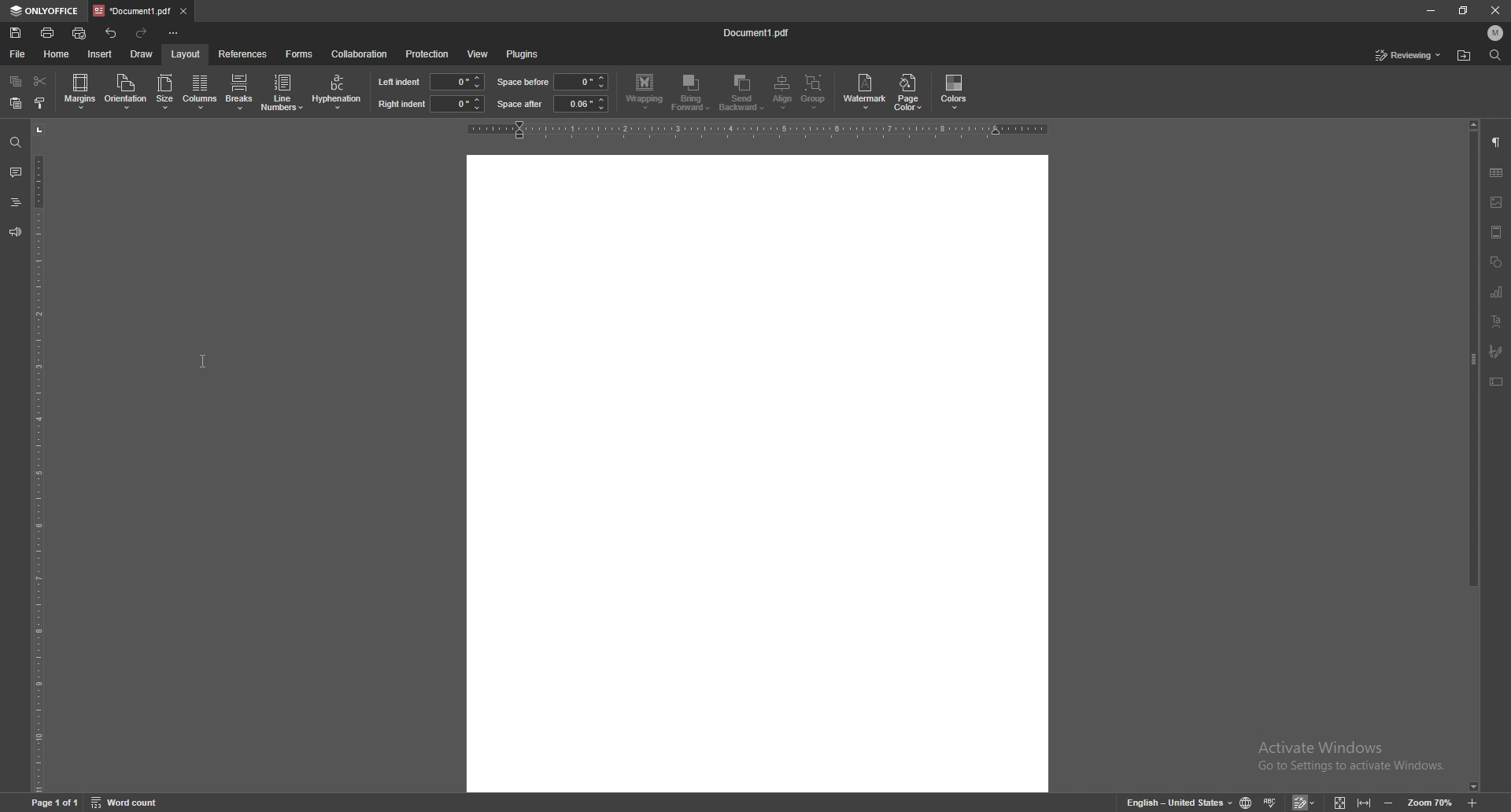 This screenshot has height=812, width=1511. What do you see at coordinates (17, 81) in the screenshot?
I see `copy` at bounding box center [17, 81].